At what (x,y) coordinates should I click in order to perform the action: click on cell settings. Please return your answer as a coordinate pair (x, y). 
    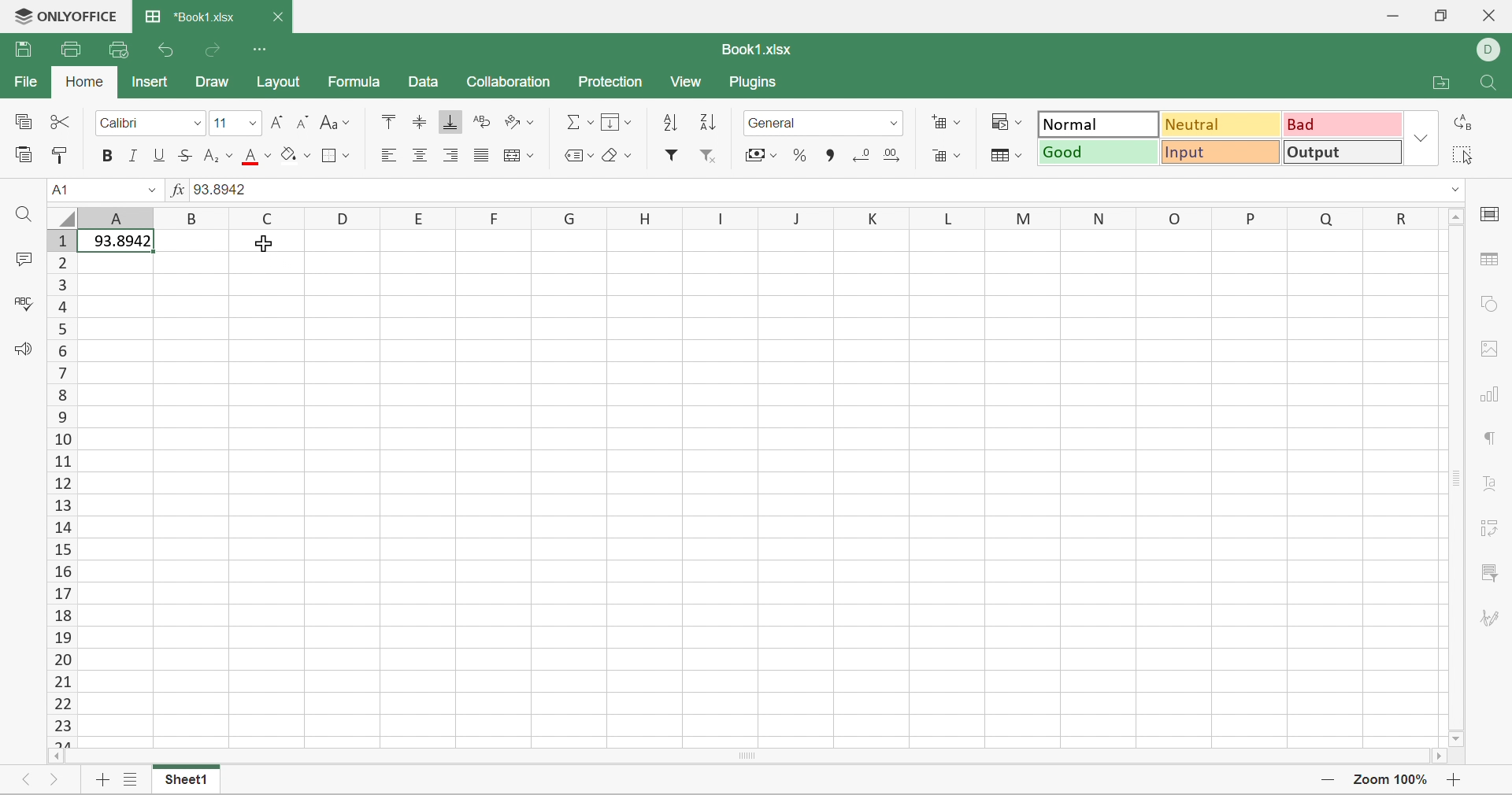
    Looking at the image, I should click on (1492, 211).